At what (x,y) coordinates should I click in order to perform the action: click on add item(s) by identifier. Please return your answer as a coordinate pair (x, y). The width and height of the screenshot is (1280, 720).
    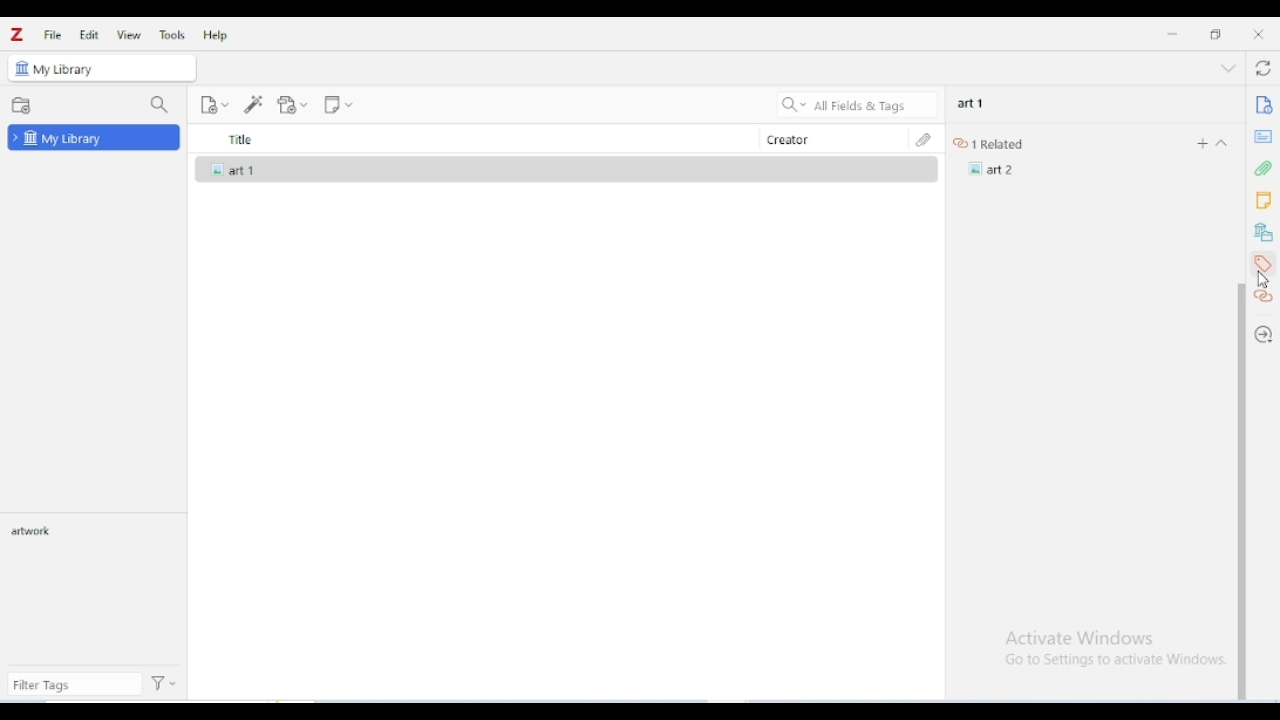
    Looking at the image, I should click on (255, 104).